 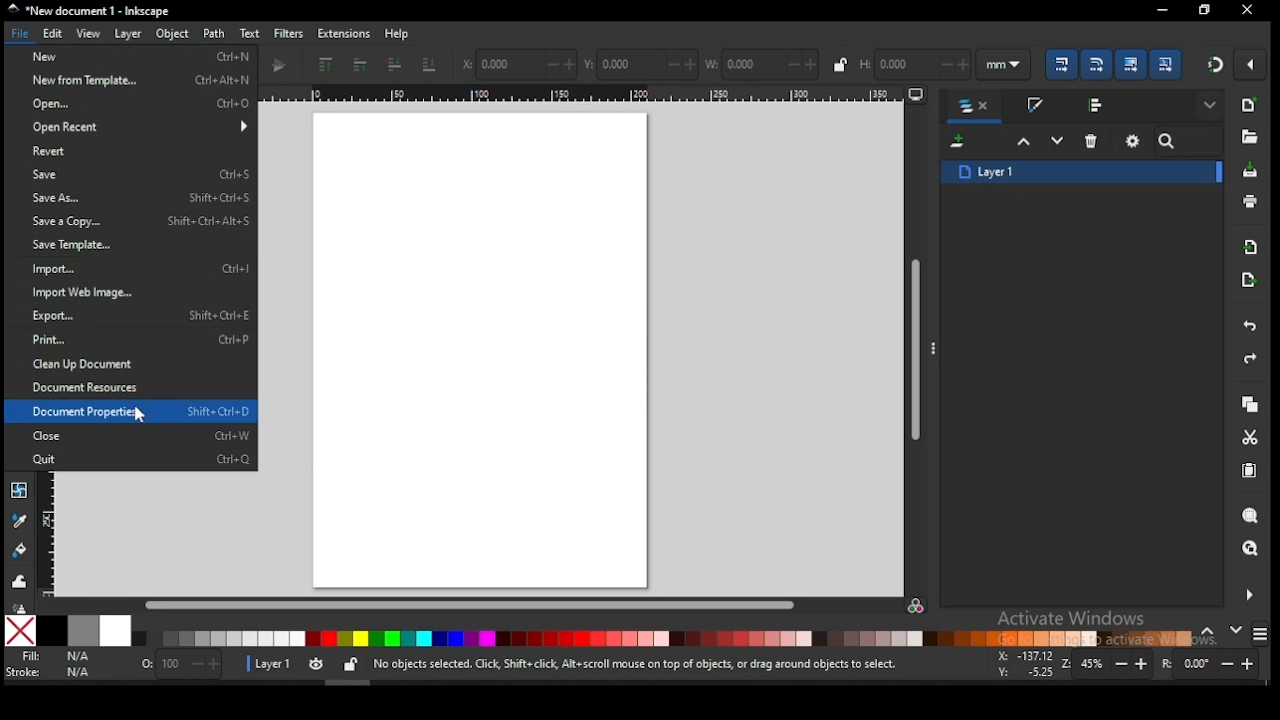 What do you see at coordinates (141, 221) in the screenshot?
I see `save a copy` at bounding box center [141, 221].